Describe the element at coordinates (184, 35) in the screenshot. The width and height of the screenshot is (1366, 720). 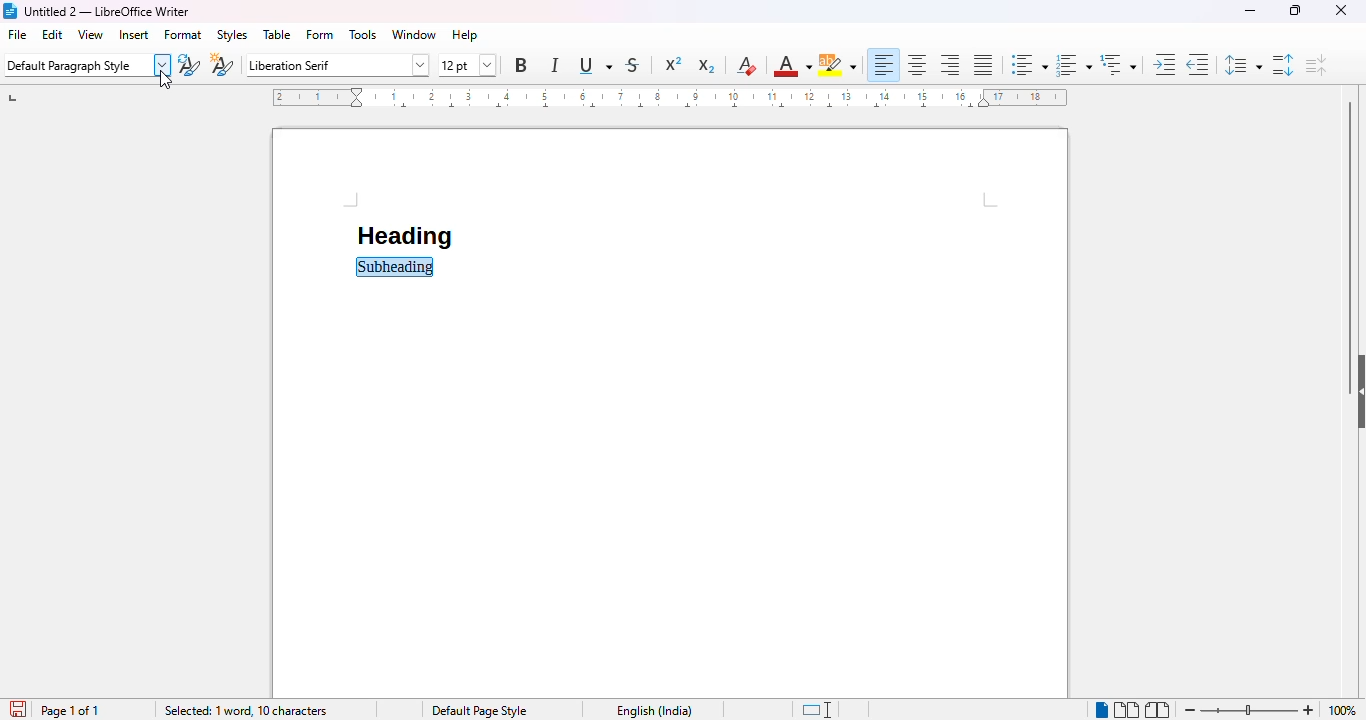
I see `format` at that location.